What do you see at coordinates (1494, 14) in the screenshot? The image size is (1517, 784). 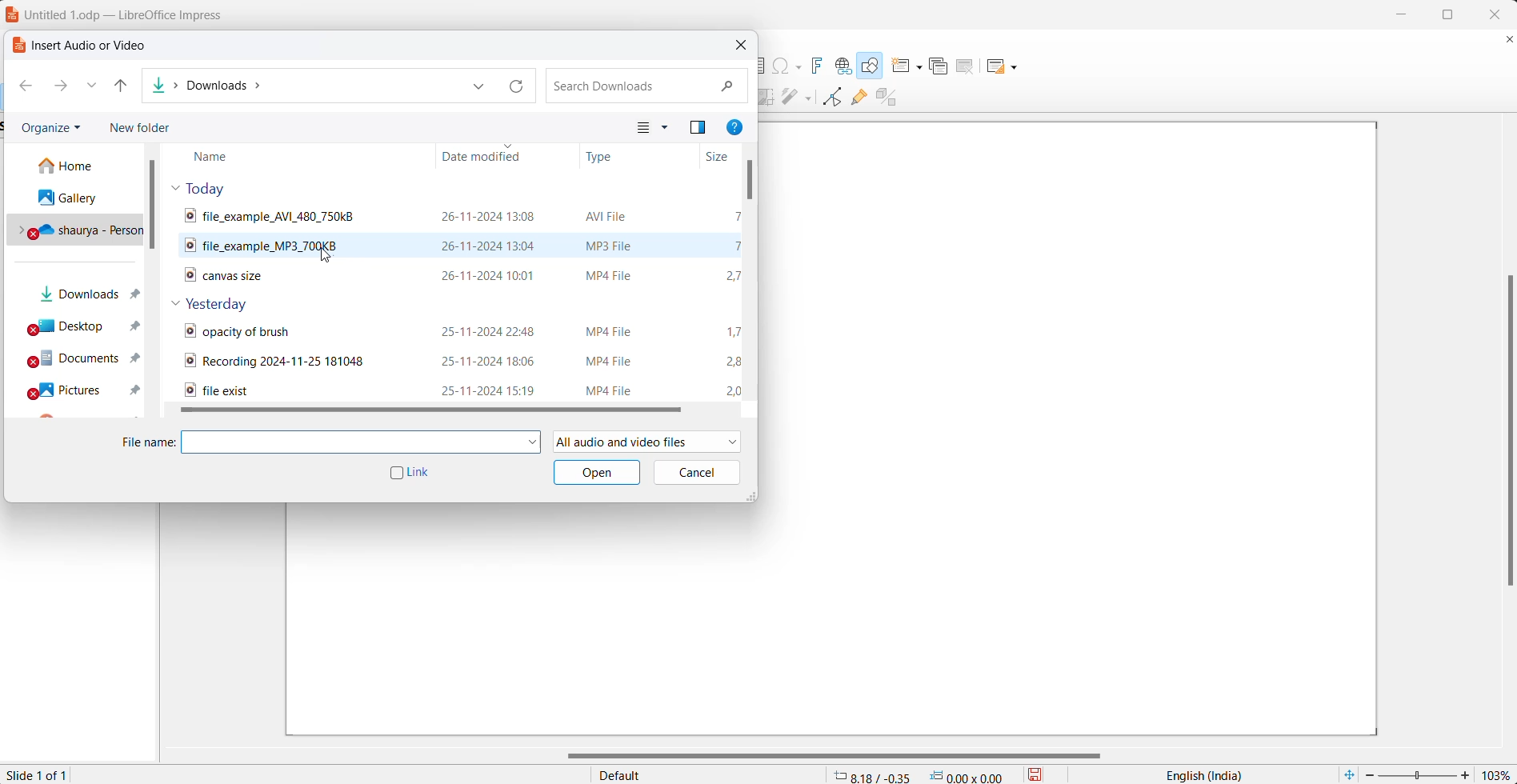 I see `close` at bounding box center [1494, 14].